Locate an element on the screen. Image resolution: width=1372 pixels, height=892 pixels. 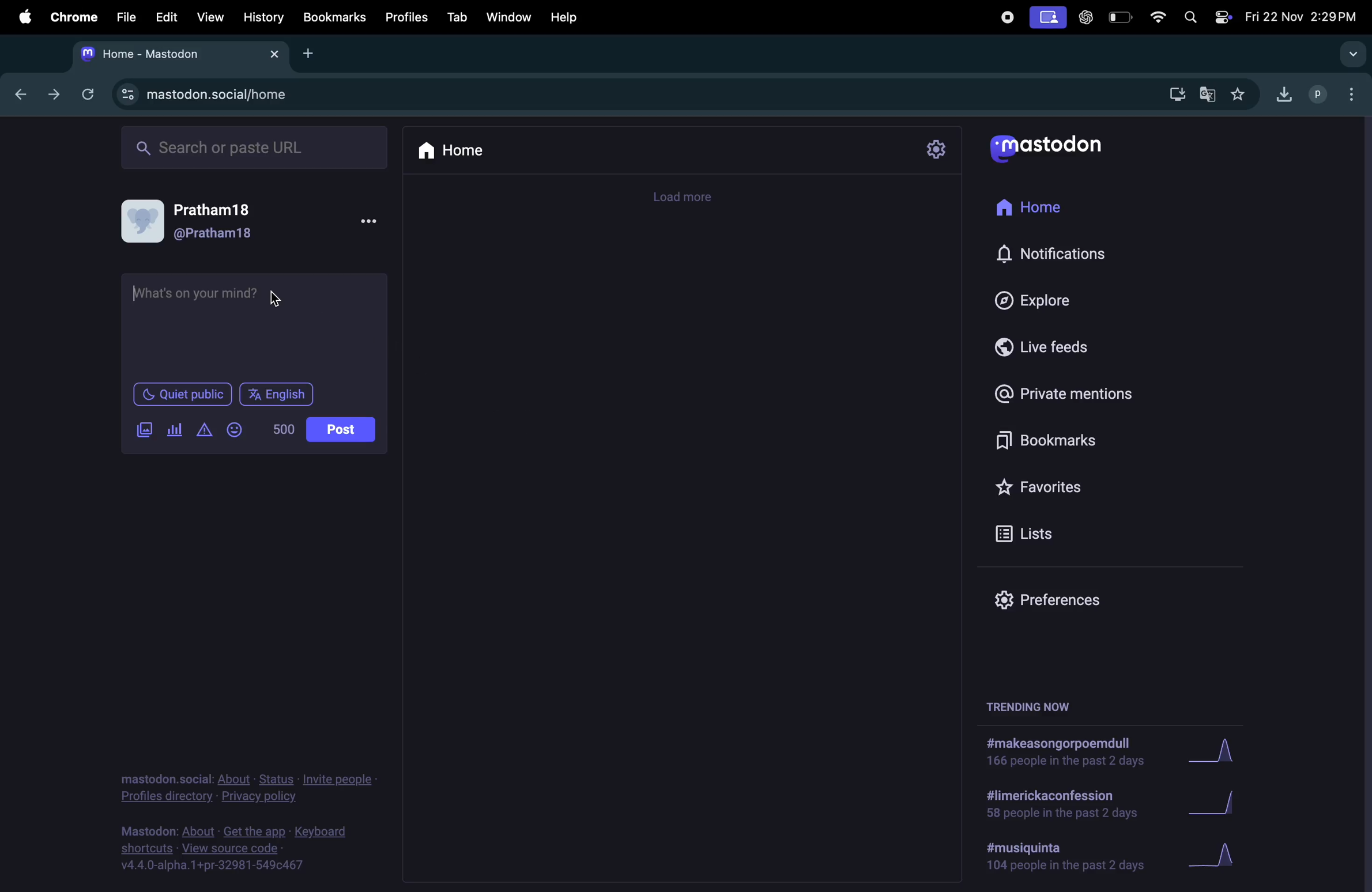
view is located at coordinates (207, 16).